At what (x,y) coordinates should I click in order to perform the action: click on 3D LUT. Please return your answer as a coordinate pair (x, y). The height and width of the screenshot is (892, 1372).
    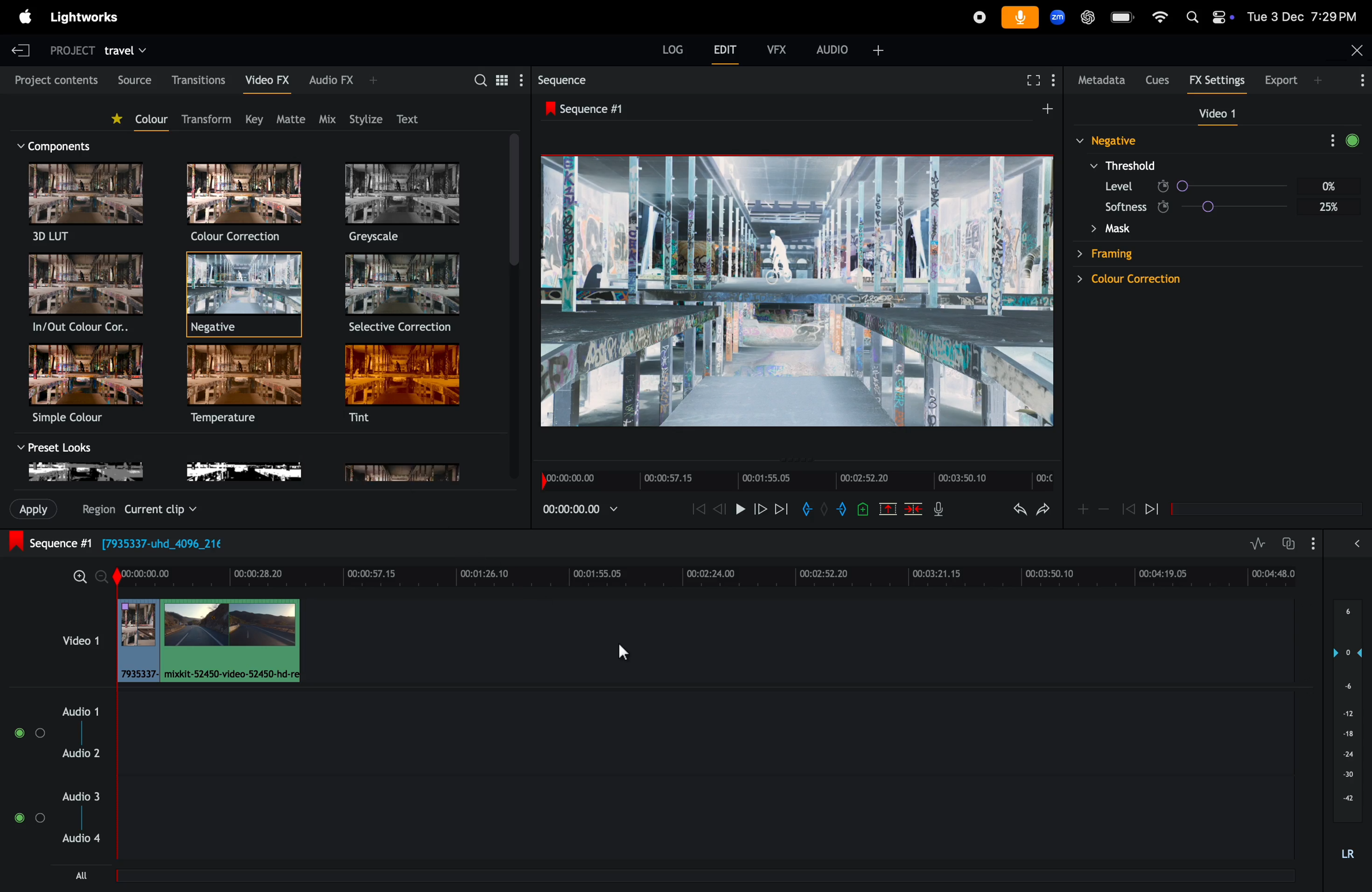
    Looking at the image, I should click on (84, 206).